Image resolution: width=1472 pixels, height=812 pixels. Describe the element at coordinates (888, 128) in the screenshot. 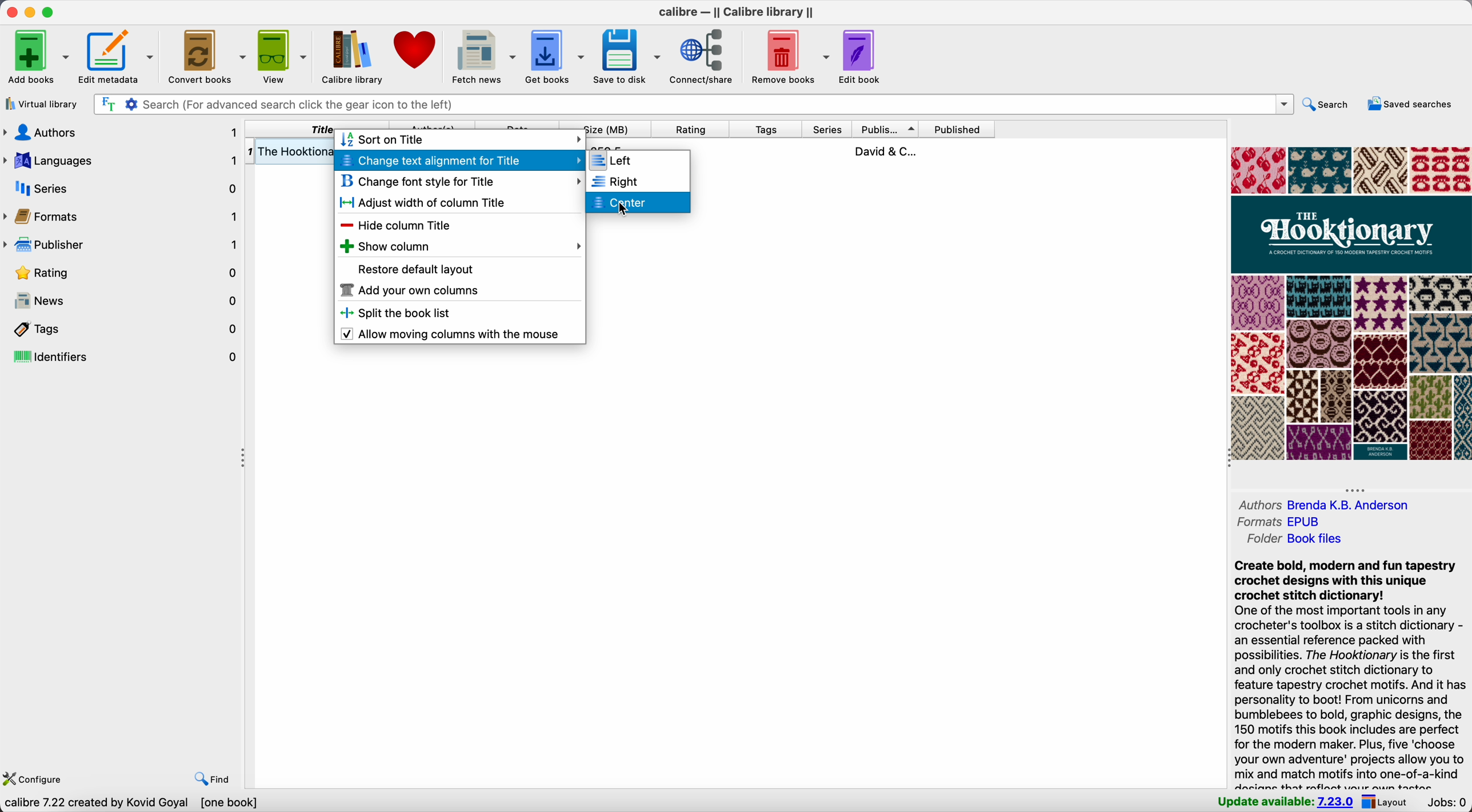

I see `publisher` at that location.